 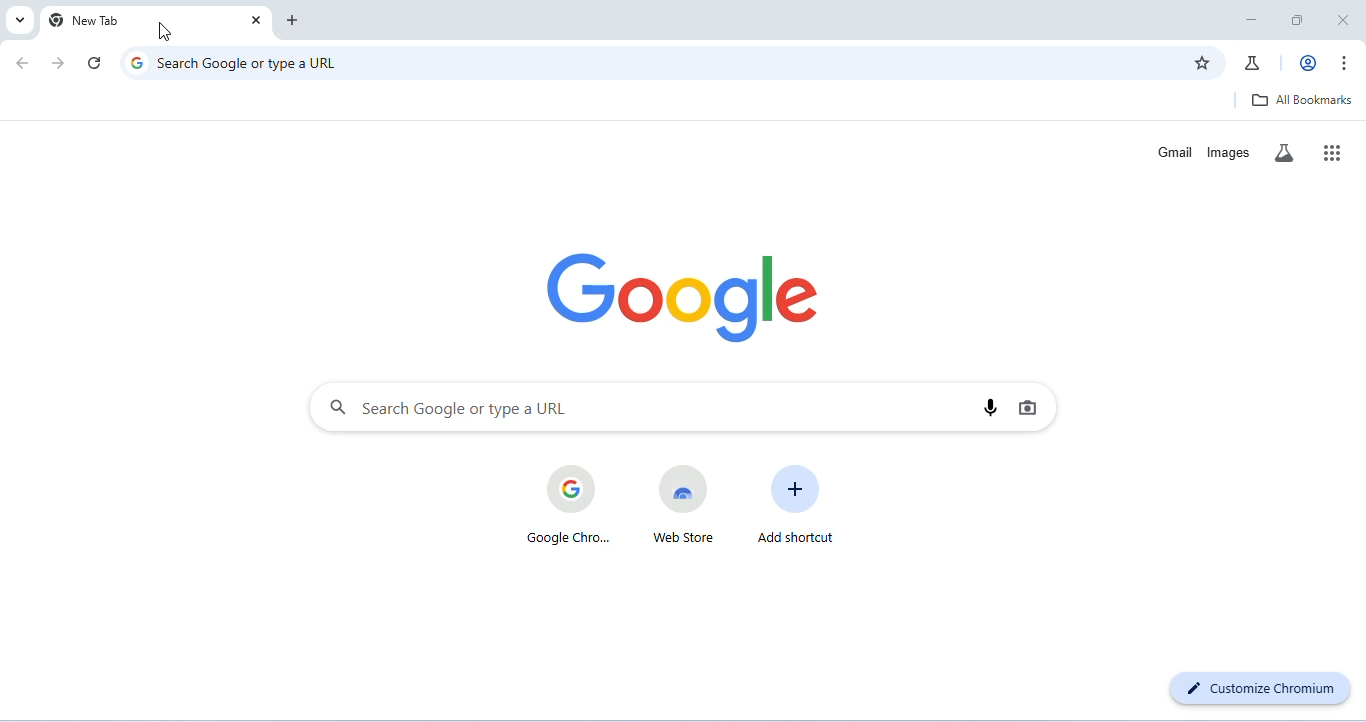 I want to click on maximize, so click(x=1302, y=21).